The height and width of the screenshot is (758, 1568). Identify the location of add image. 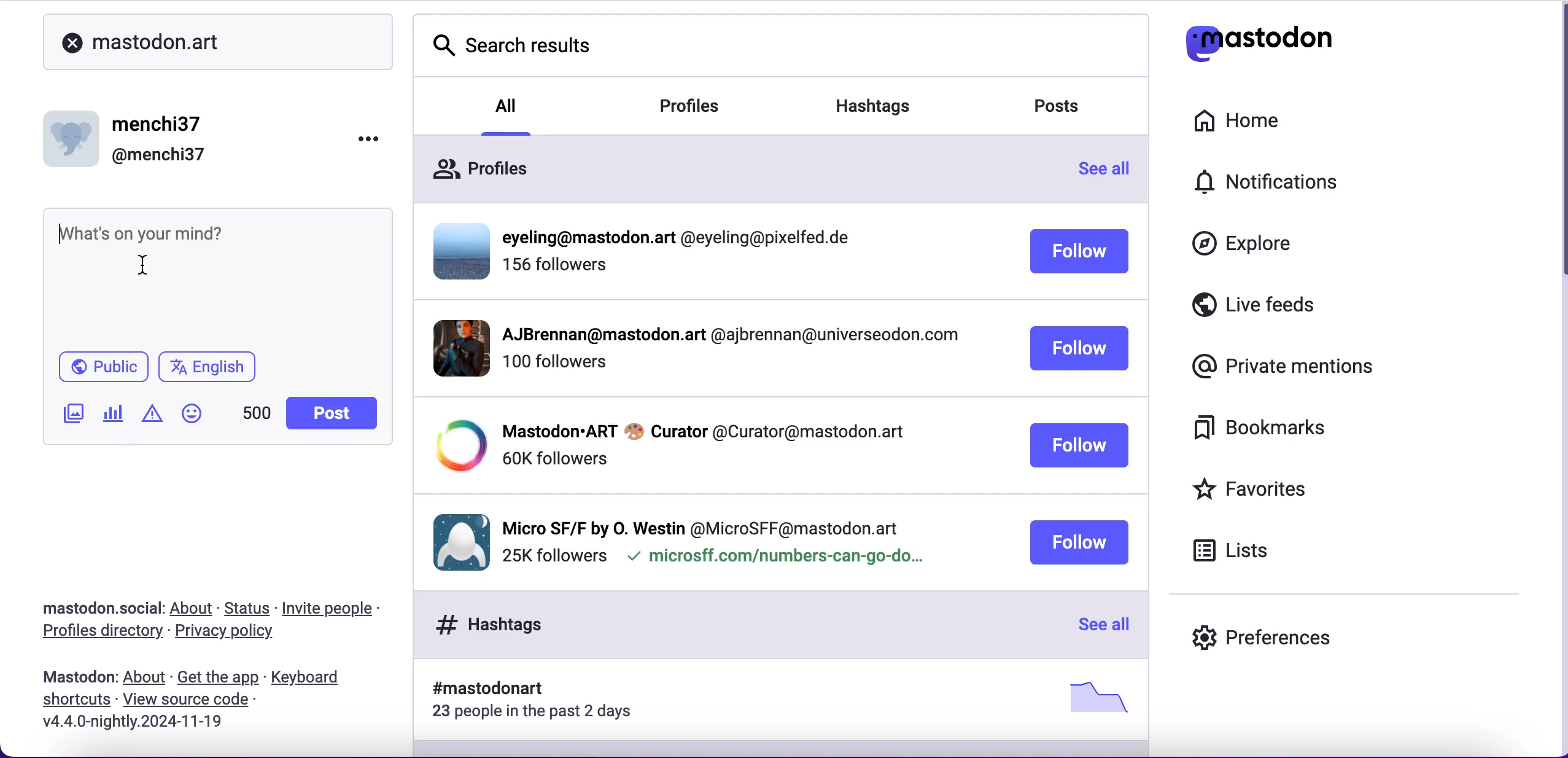
(71, 414).